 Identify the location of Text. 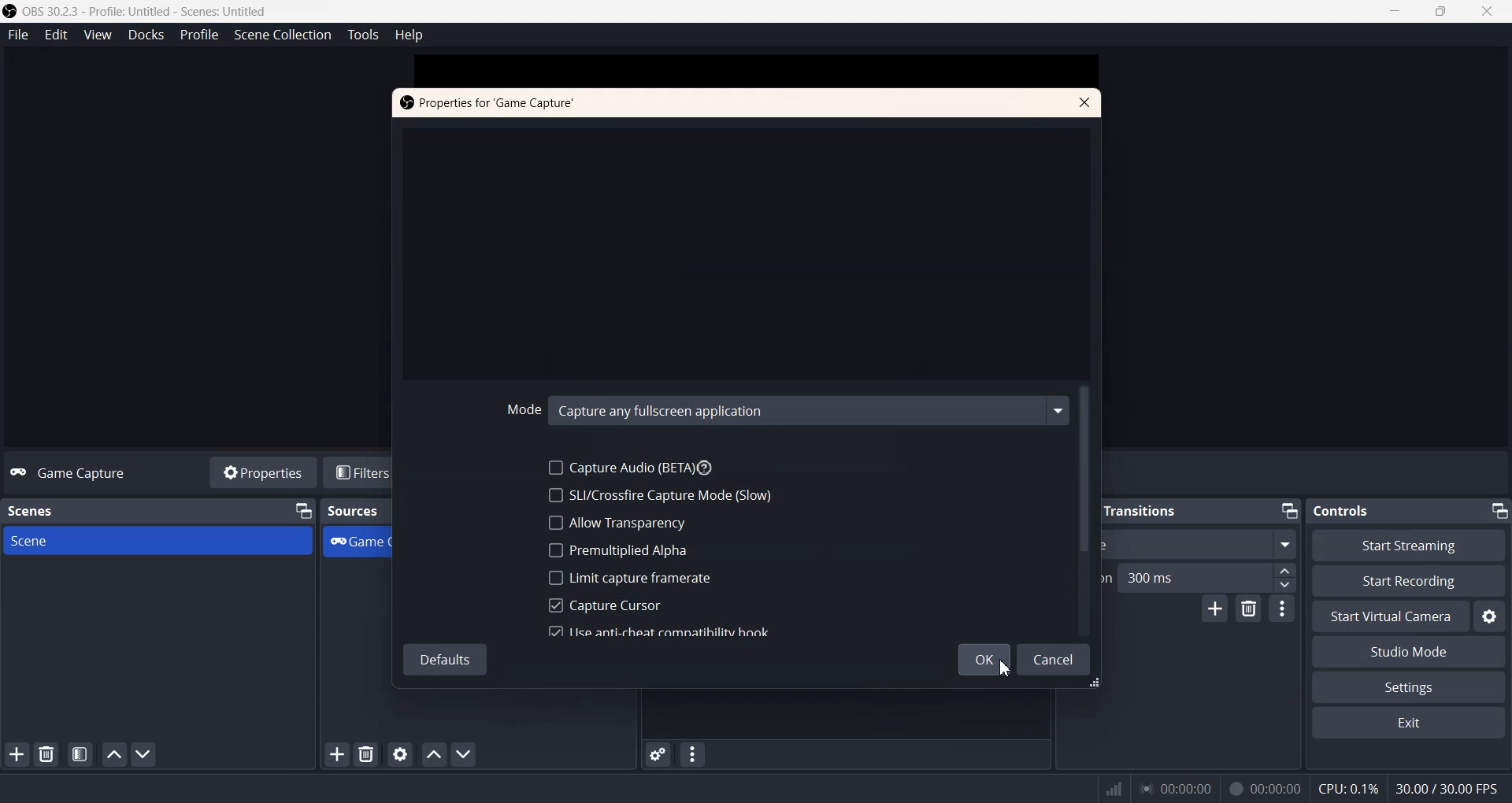
(1340, 510).